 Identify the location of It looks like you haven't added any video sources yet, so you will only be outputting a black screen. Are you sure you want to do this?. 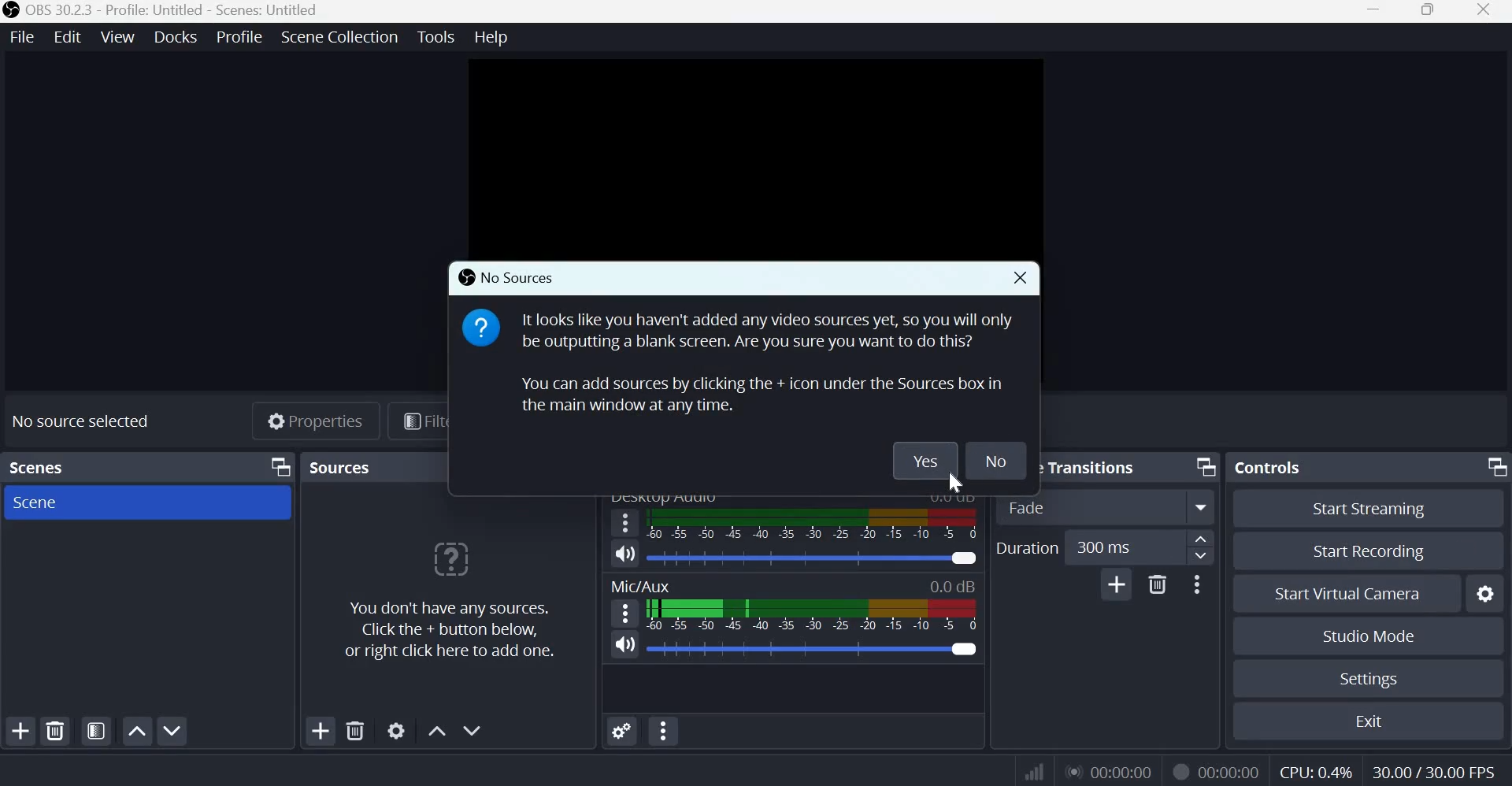
(746, 330).